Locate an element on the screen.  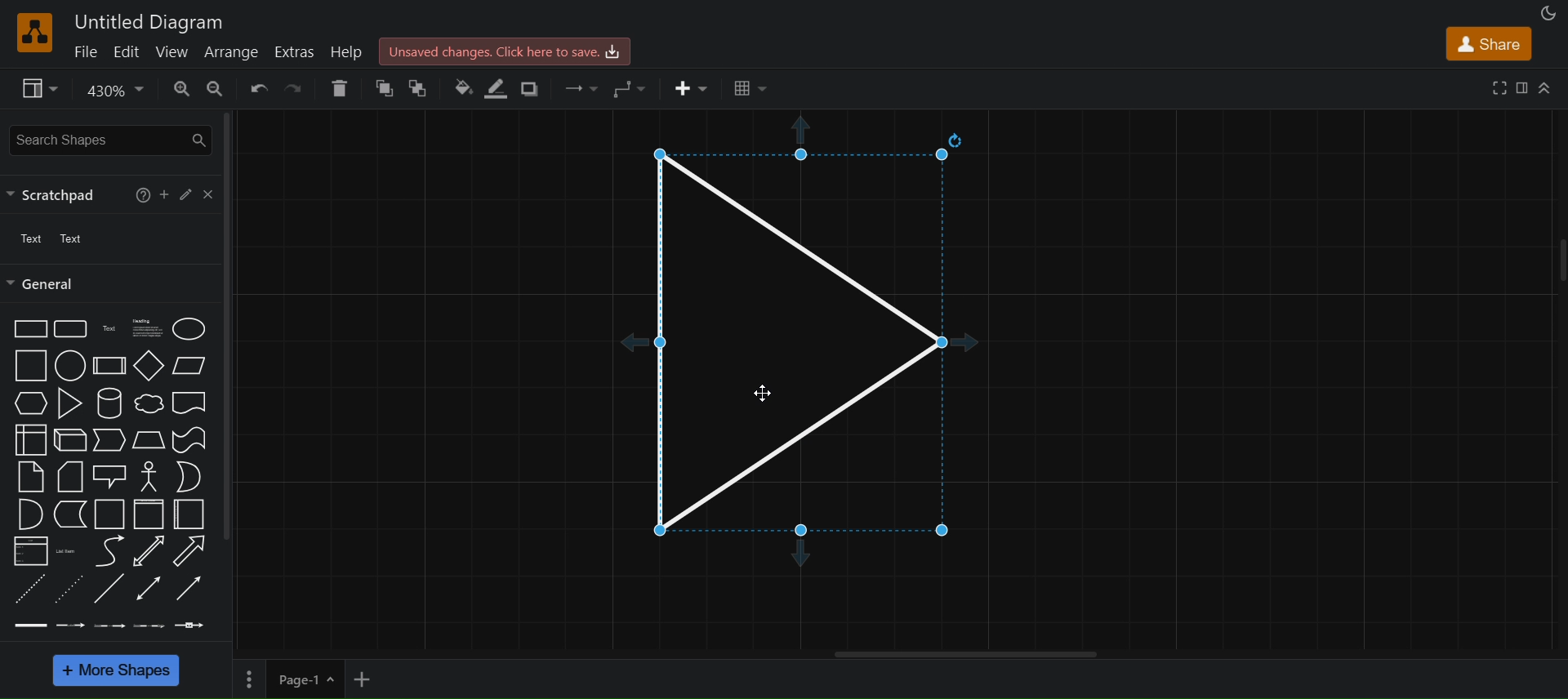
search shapes is located at coordinates (113, 140).